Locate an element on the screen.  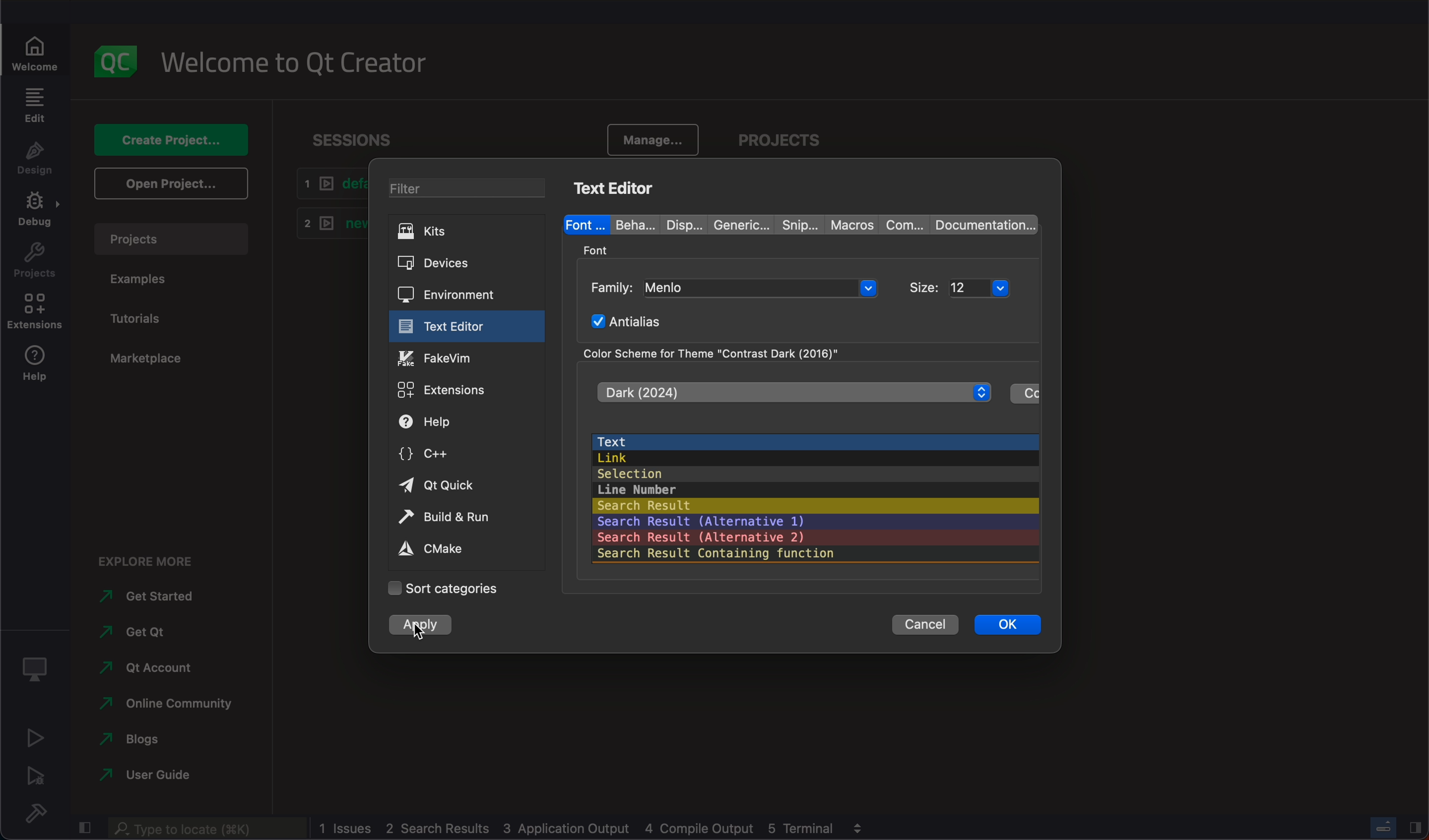
started is located at coordinates (141, 598).